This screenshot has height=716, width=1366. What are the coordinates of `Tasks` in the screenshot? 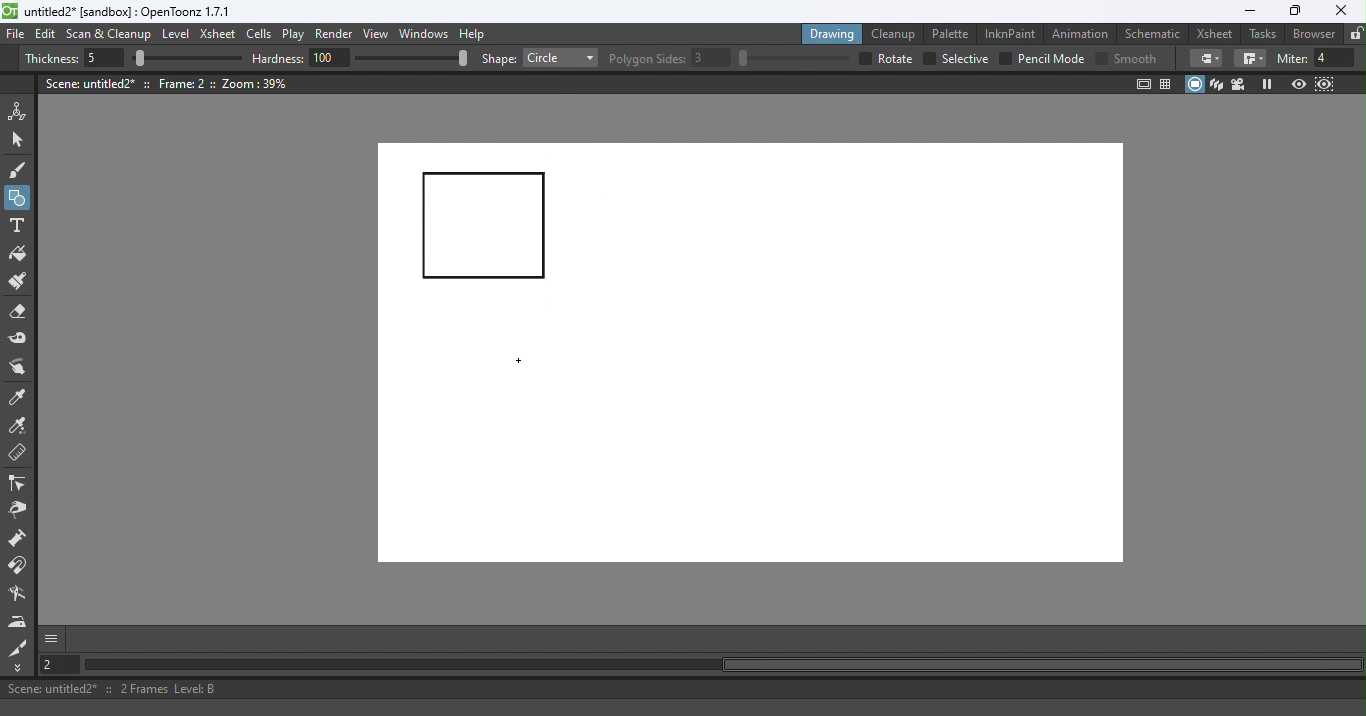 It's located at (1264, 34).